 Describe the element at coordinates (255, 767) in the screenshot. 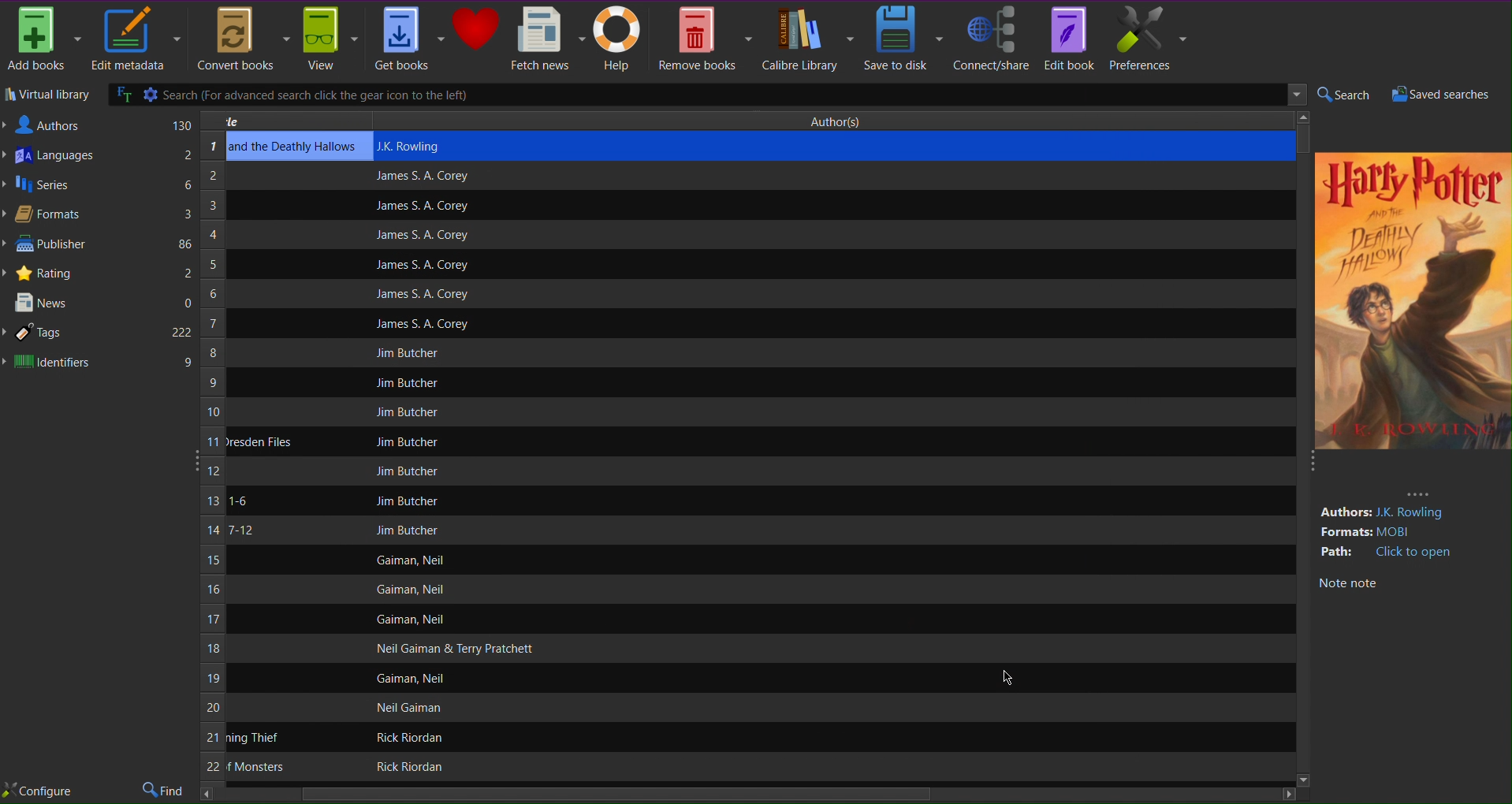

I see `Monsters` at that location.